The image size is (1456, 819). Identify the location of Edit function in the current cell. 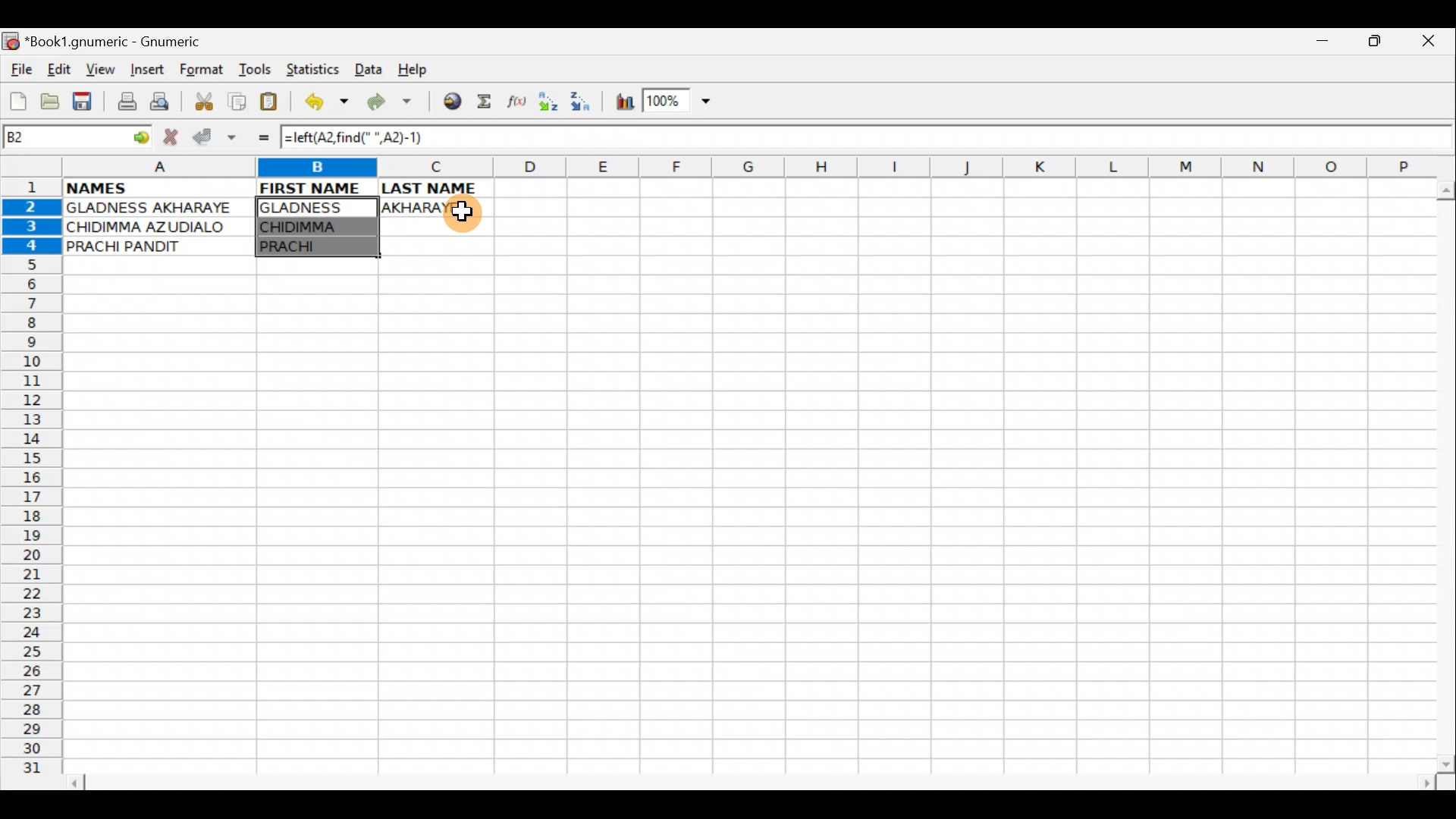
(519, 105).